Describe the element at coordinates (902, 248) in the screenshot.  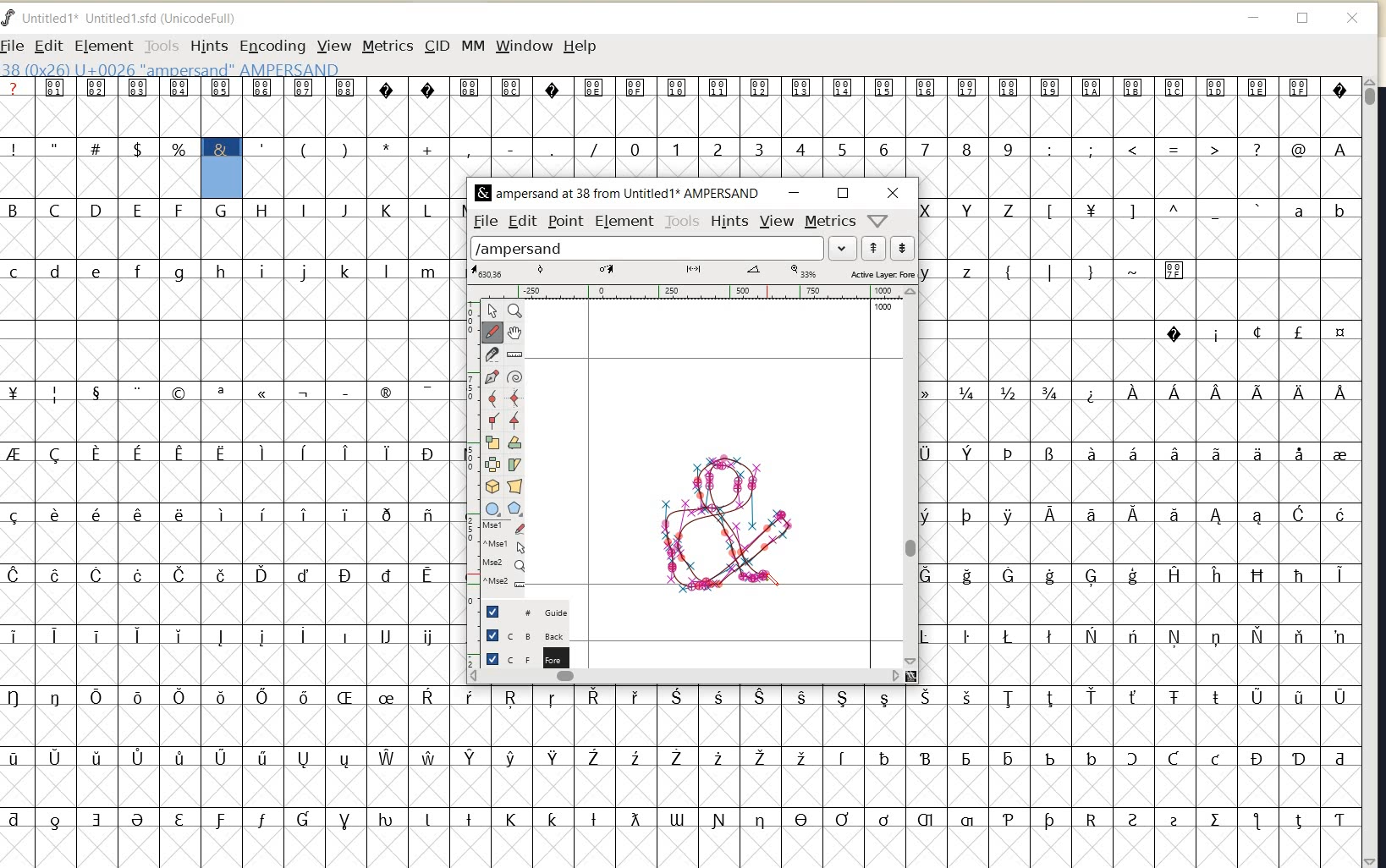
I see `show next word list` at that location.